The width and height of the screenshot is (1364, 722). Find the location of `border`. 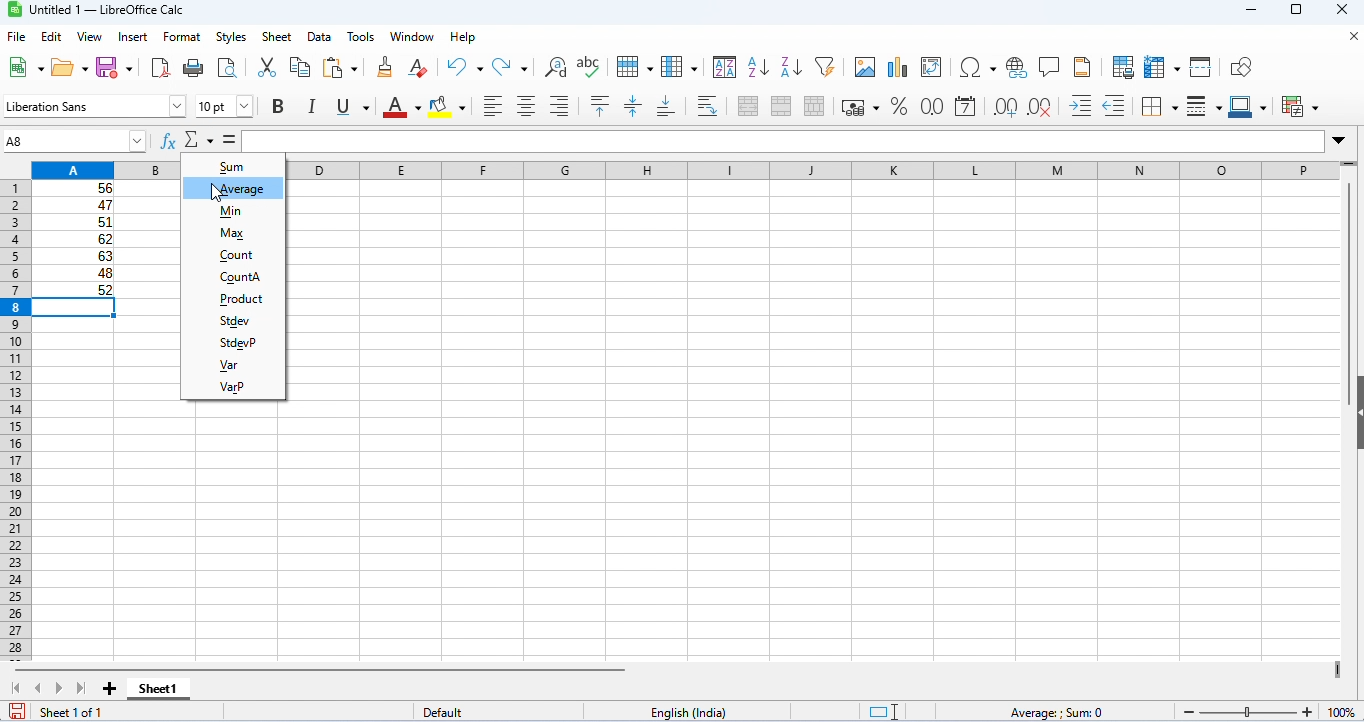

border is located at coordinates (1159, 106).